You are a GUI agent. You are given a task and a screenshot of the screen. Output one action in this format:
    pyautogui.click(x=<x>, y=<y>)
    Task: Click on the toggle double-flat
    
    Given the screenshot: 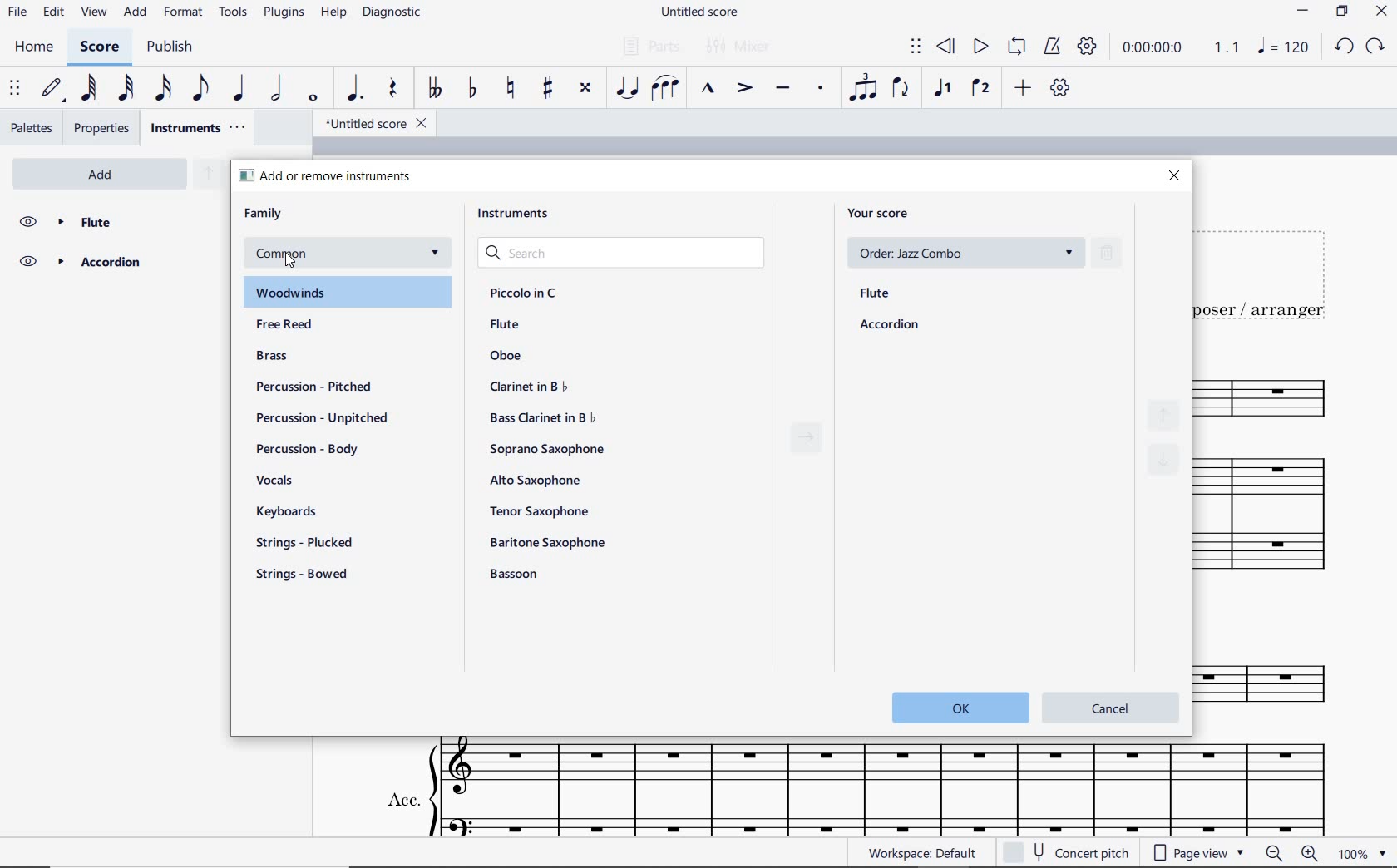 What is the action you would take?
    pyautogui.click(x=433, y=89)
    